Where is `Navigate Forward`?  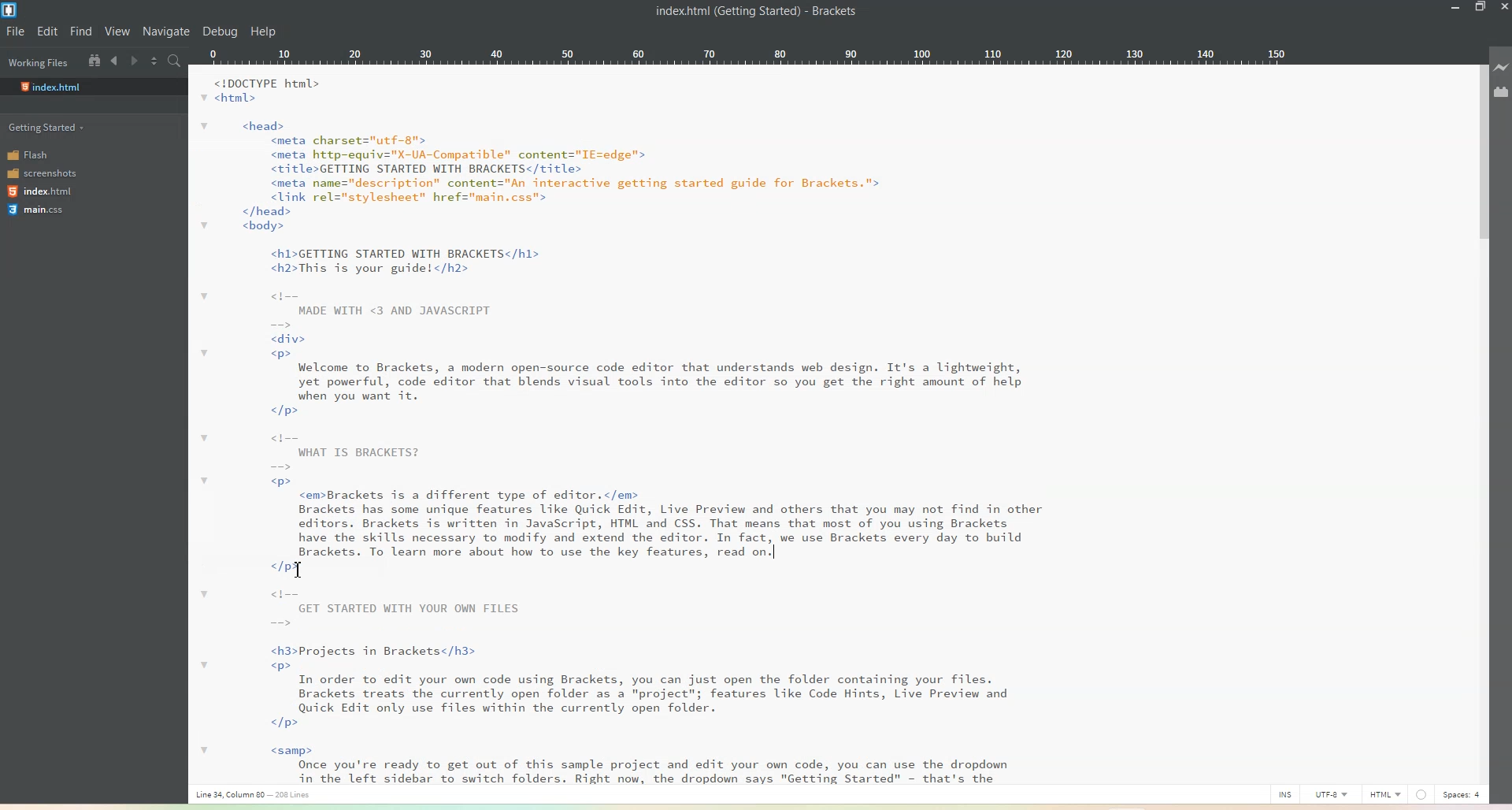
Navigate Forward is located at coordinates (136, 61).